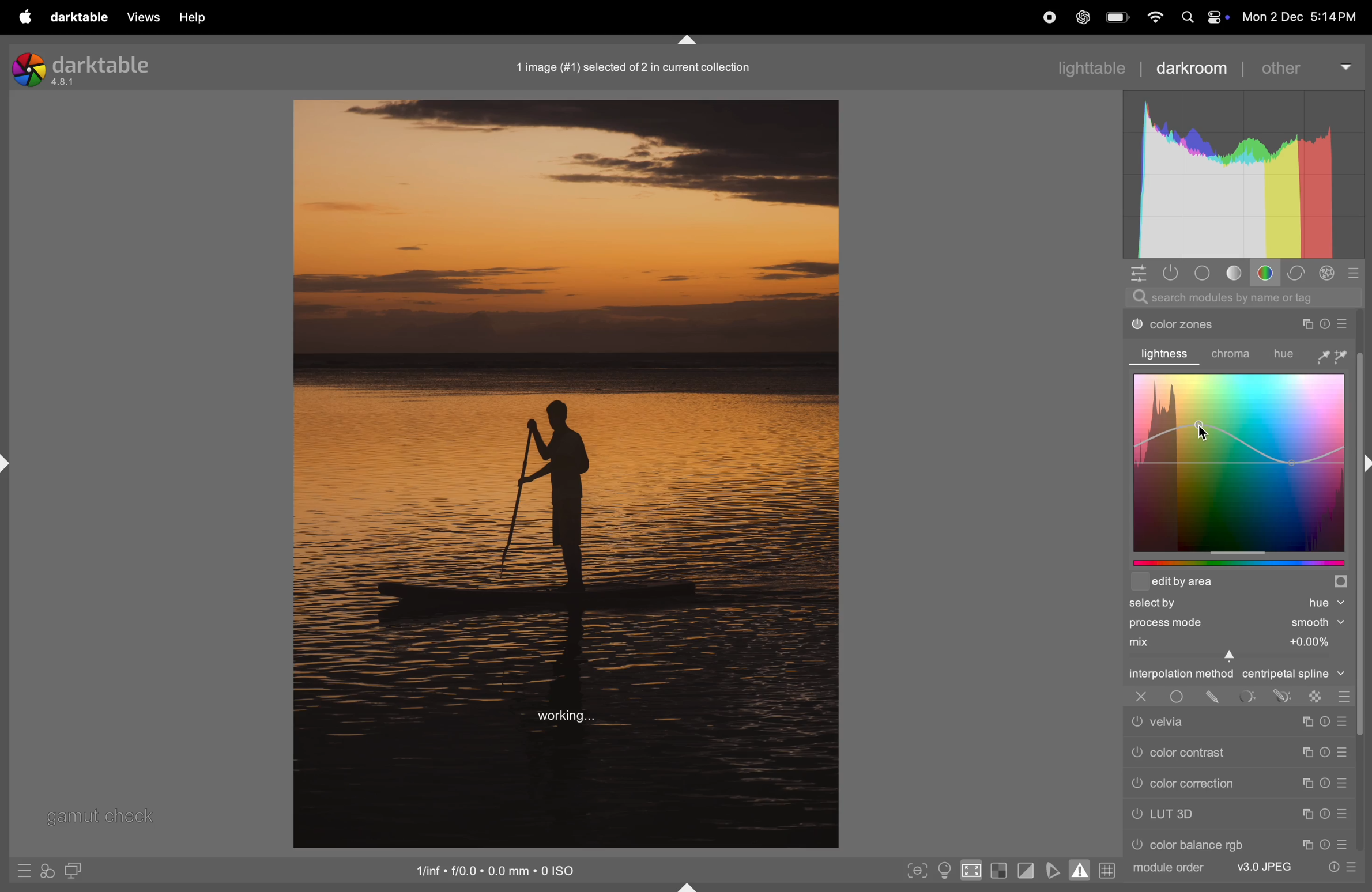  I want to click on , so click(1298, 273).